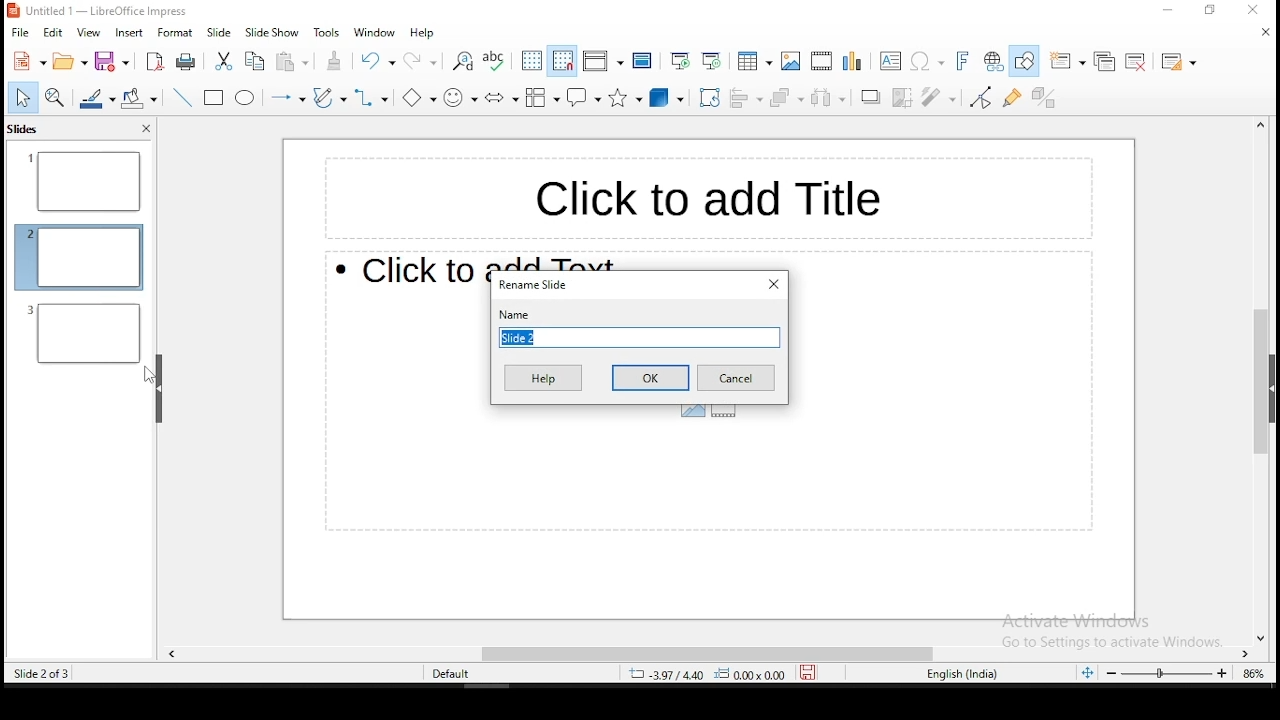 The height and width of the screenshot is (720, 1280). I want to click on scroll bar, so click(711, 651).